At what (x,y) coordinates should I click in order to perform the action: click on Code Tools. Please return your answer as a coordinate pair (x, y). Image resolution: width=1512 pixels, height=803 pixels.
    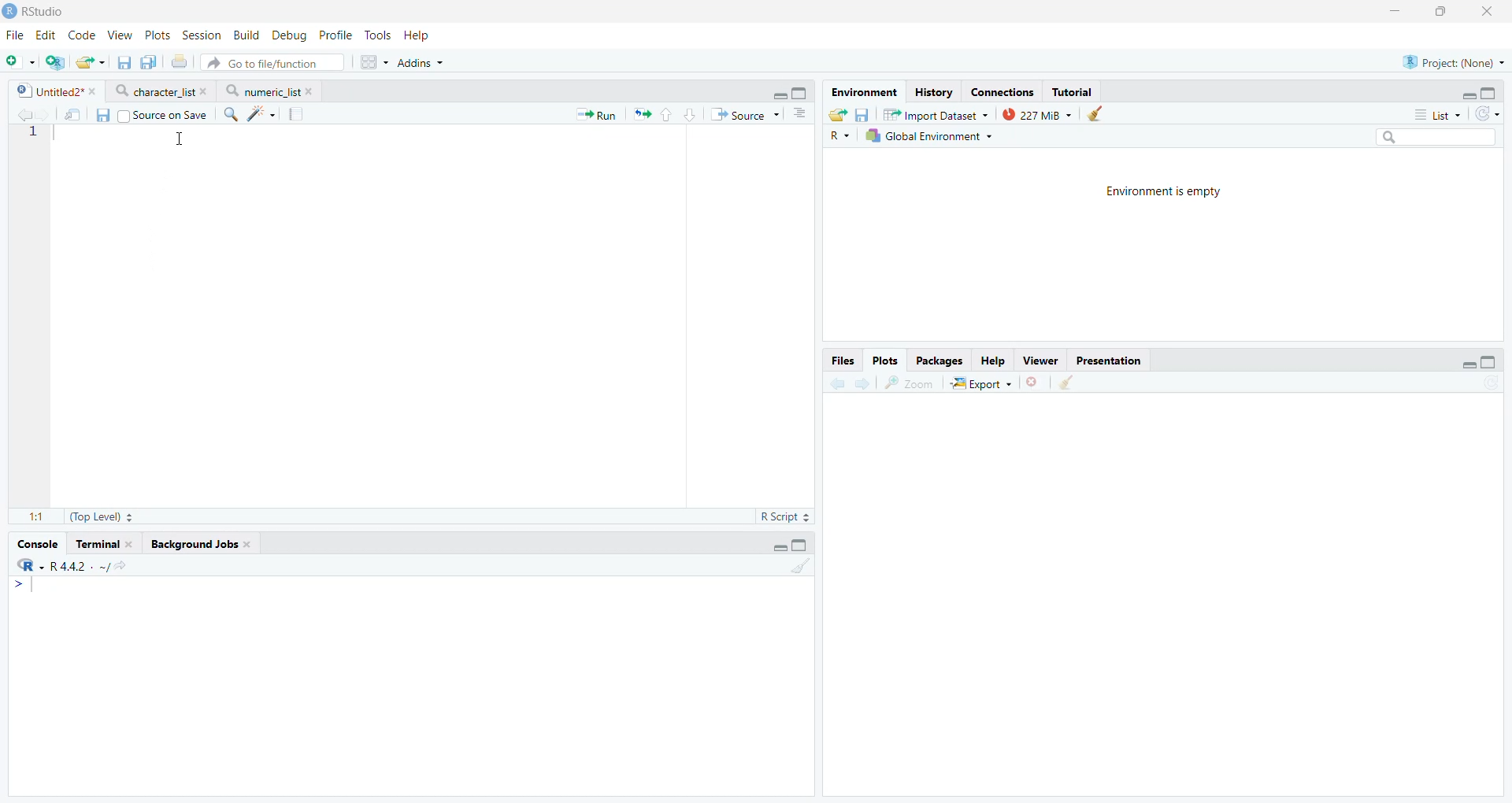
    Looking at the image, I should click on (262, 114).